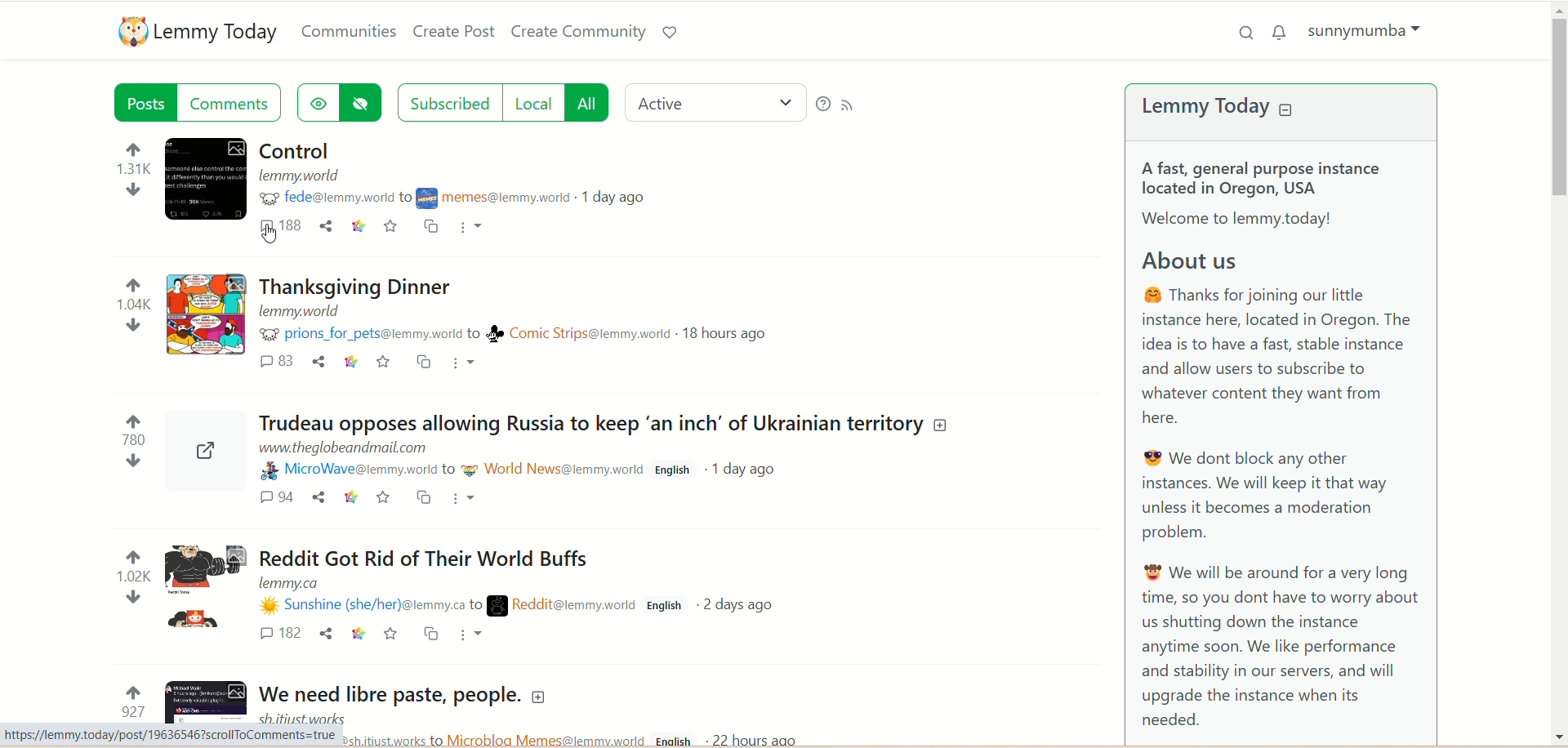 The height and width of the screenshot is (748, 1568). What do you see at coordinates (666, 607) in the screenshot?
I see `English` at bounding box center [666, 607].